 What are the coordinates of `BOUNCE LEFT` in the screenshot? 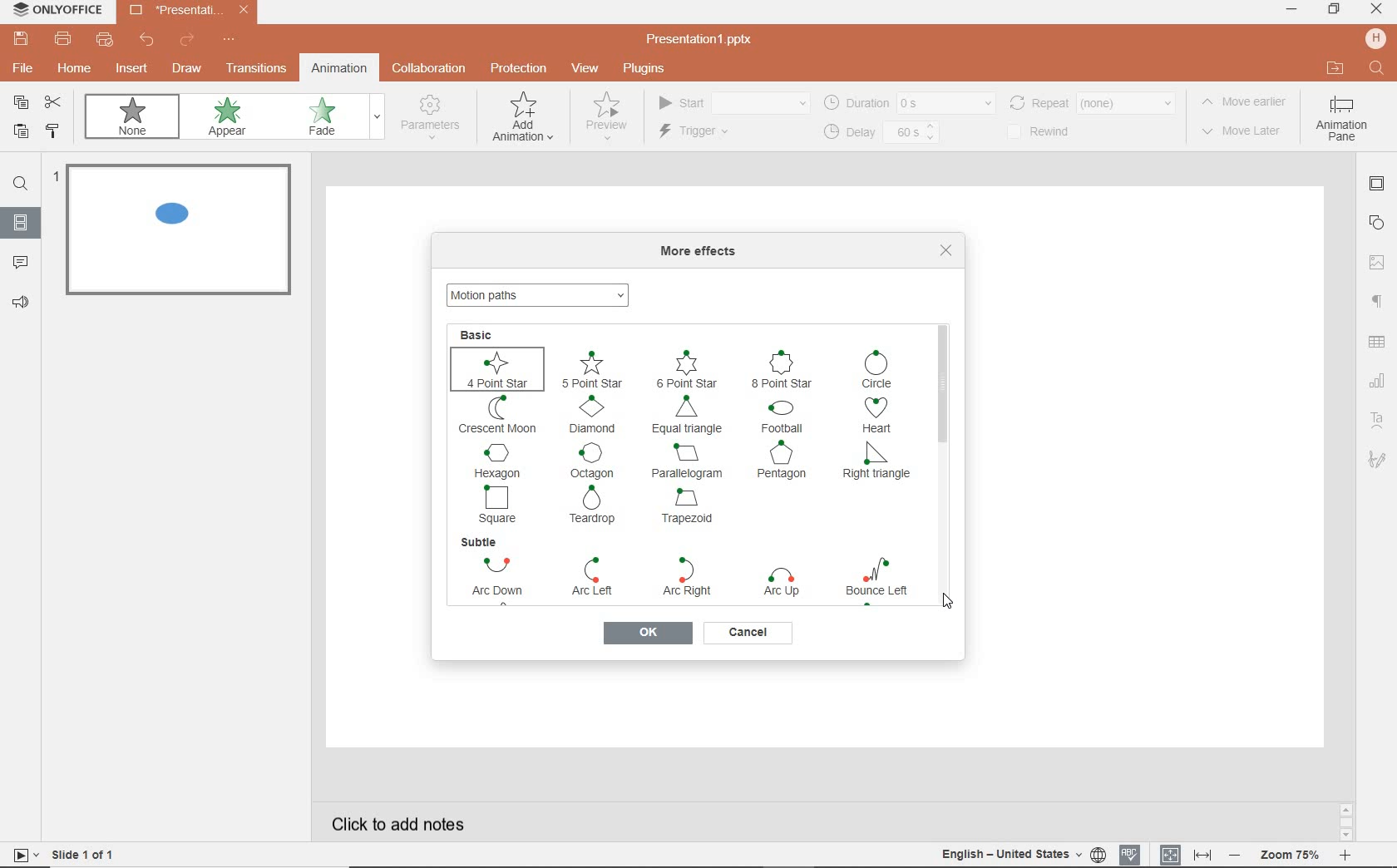 It's located at (874, 581).